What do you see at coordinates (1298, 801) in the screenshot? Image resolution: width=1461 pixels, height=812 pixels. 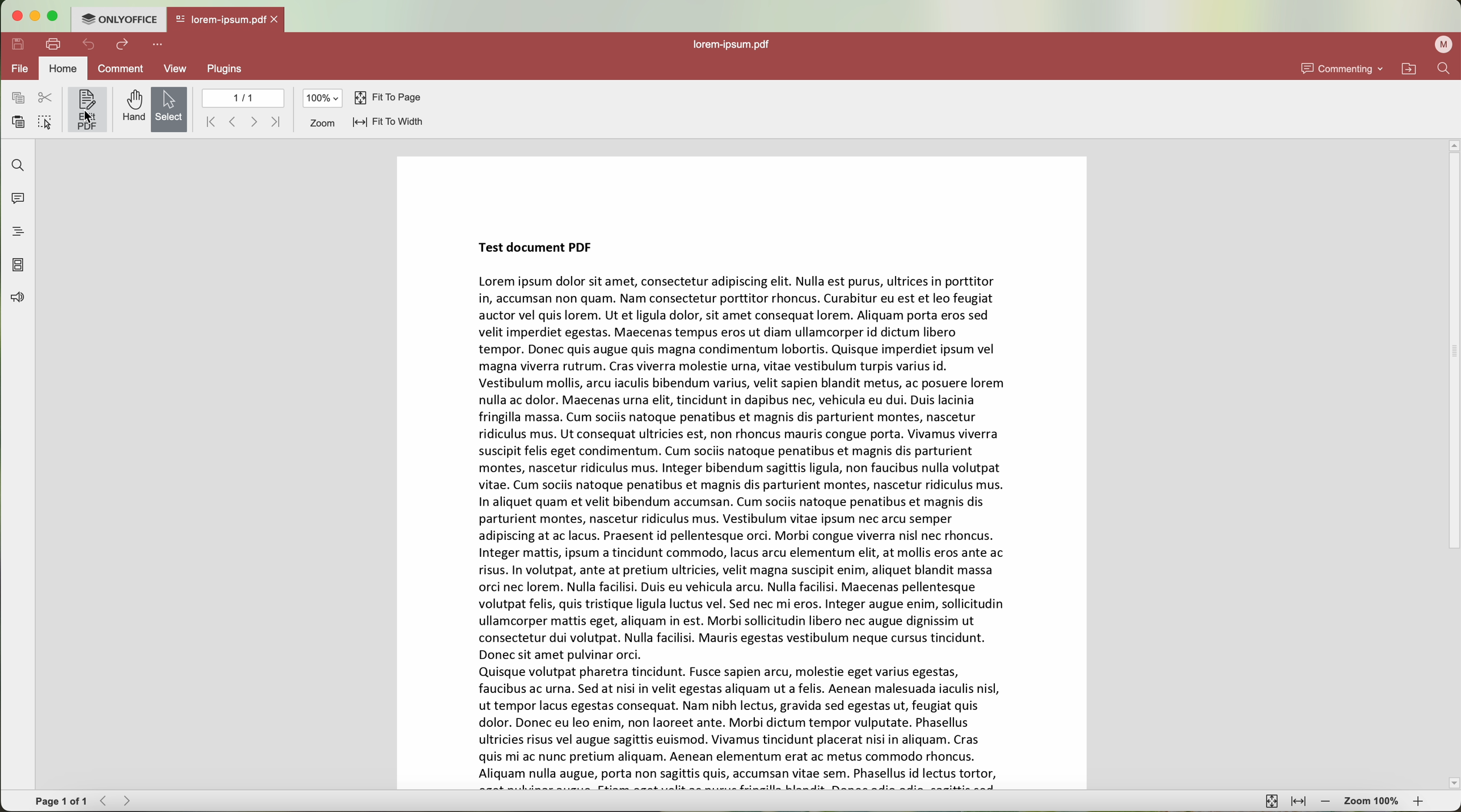 I see `fit to width` at bounding box center [1298, 801].